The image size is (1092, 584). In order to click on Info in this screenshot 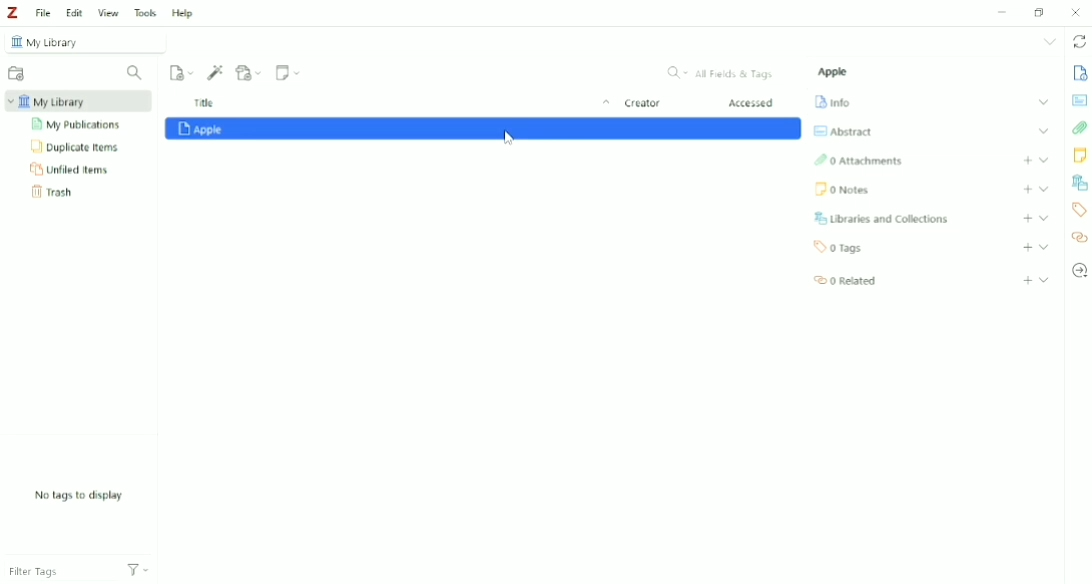, I will do `click(1080, 74)`.